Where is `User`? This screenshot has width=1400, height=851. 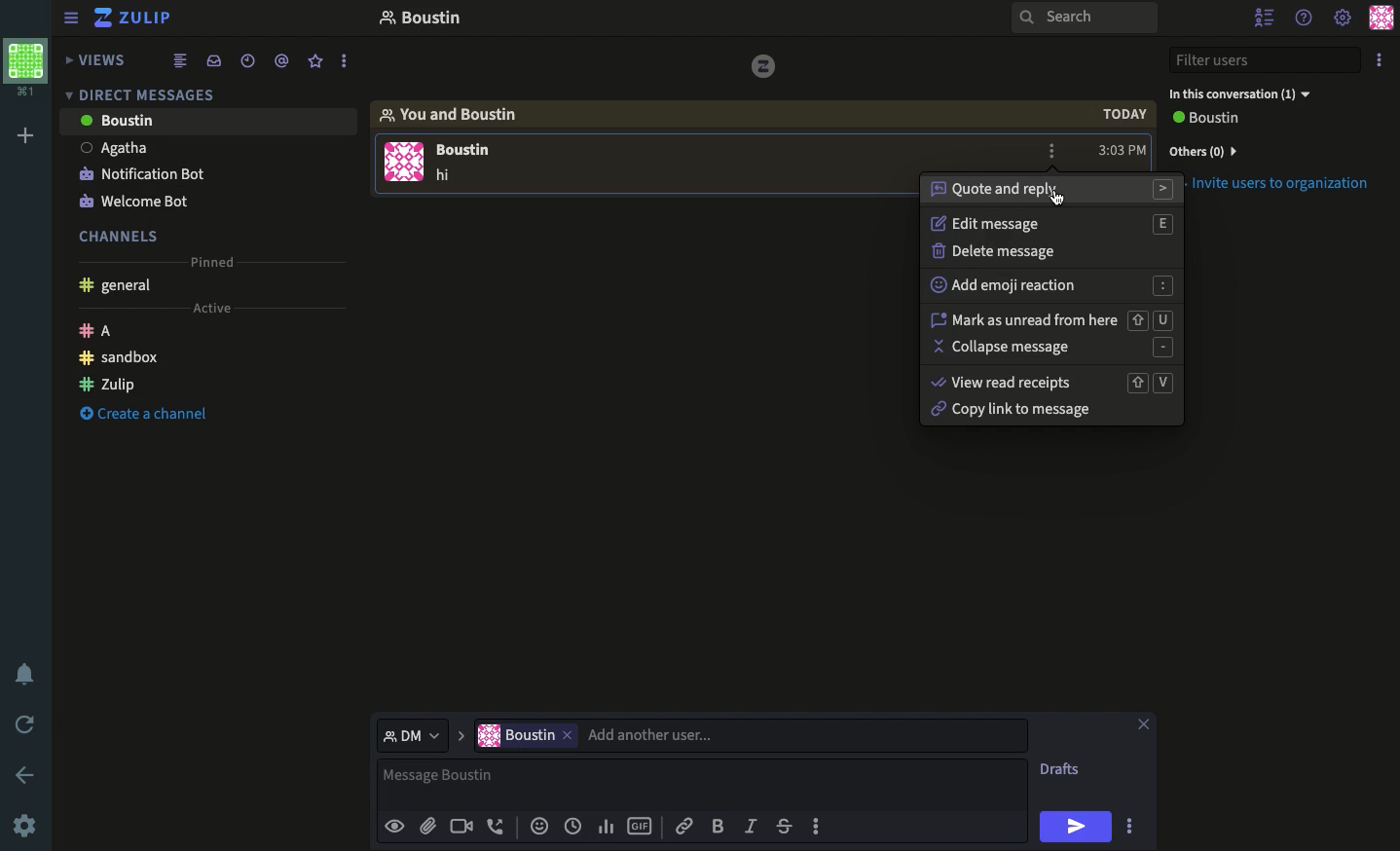
User is located at coordinates (205, 148).